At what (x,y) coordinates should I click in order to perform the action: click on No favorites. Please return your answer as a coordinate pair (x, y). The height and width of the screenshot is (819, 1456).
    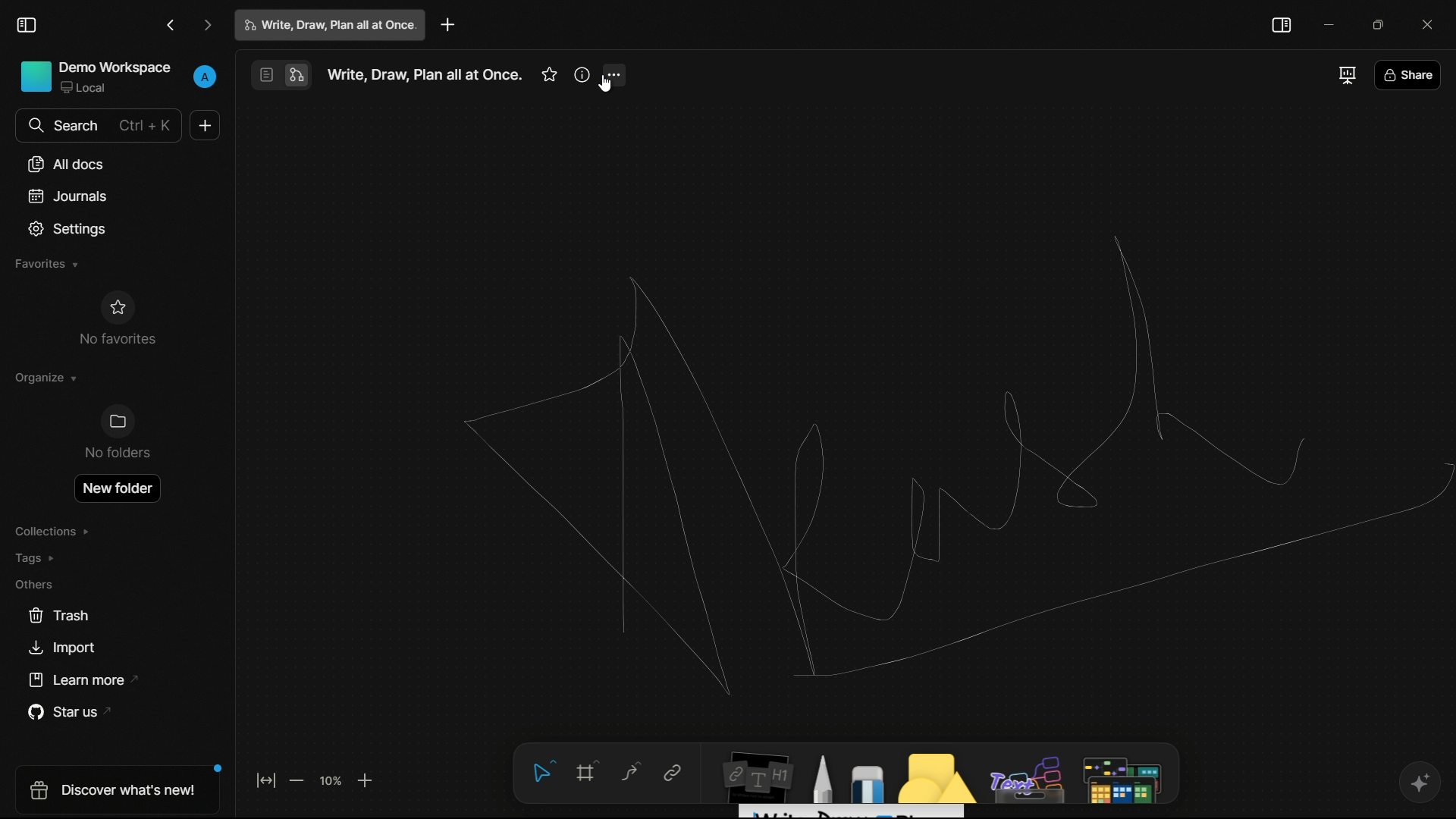
    Looking at the image, I should click on (118, 340).